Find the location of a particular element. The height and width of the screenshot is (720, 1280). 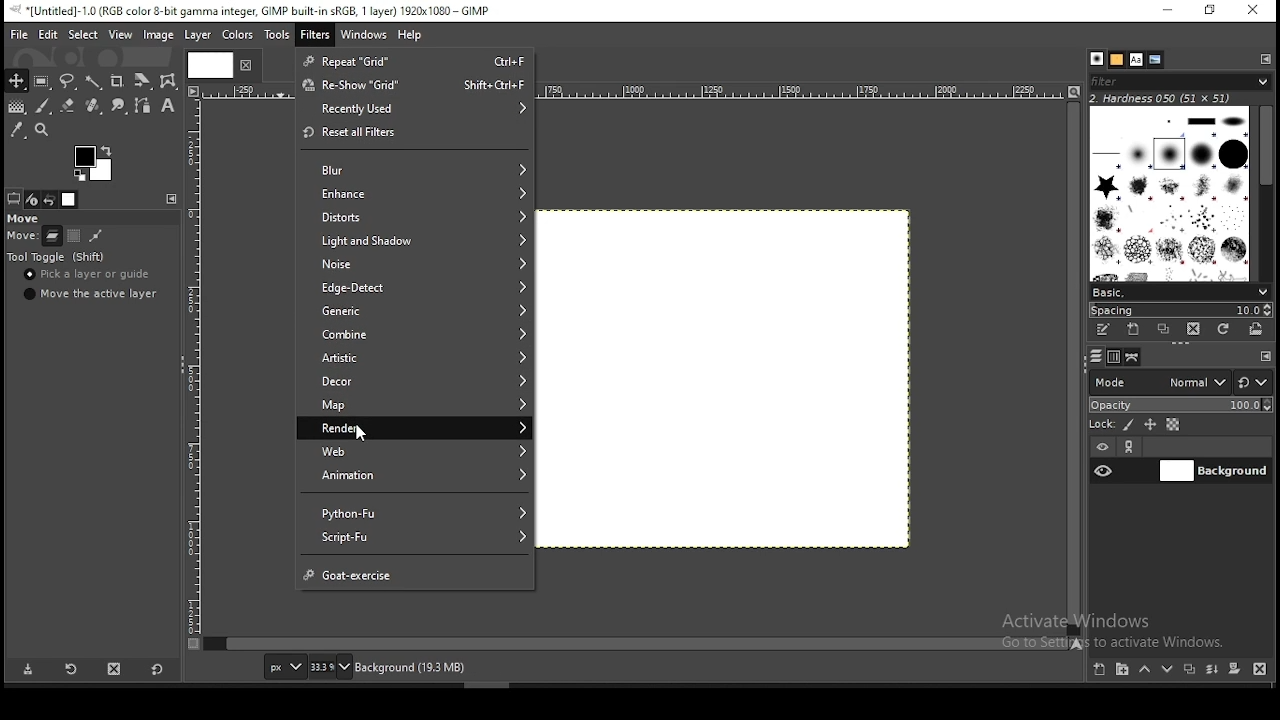

recently used is located at coordinates (416, 109).